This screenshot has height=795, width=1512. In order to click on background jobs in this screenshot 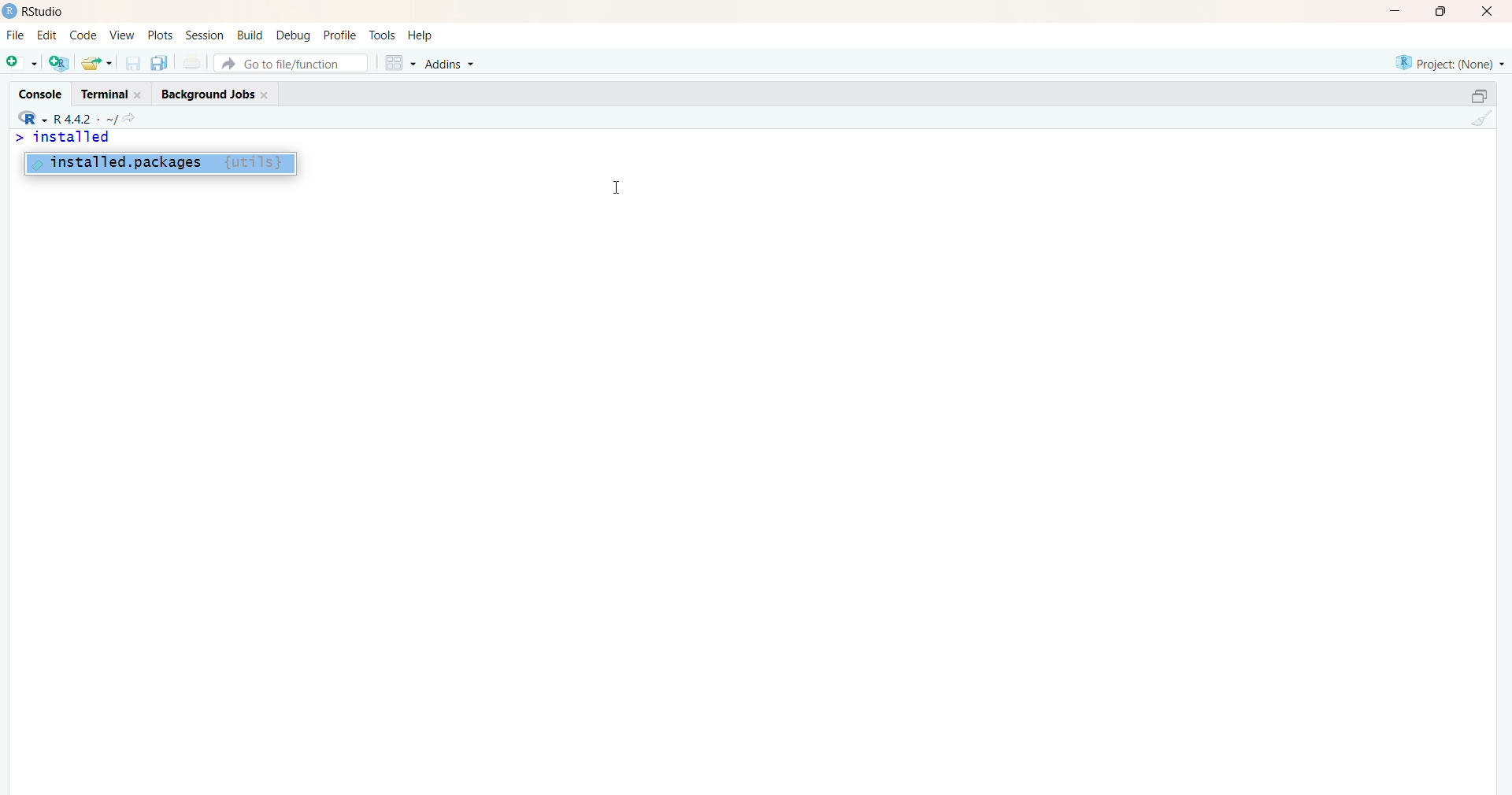, I will do `click(215, 94)`.